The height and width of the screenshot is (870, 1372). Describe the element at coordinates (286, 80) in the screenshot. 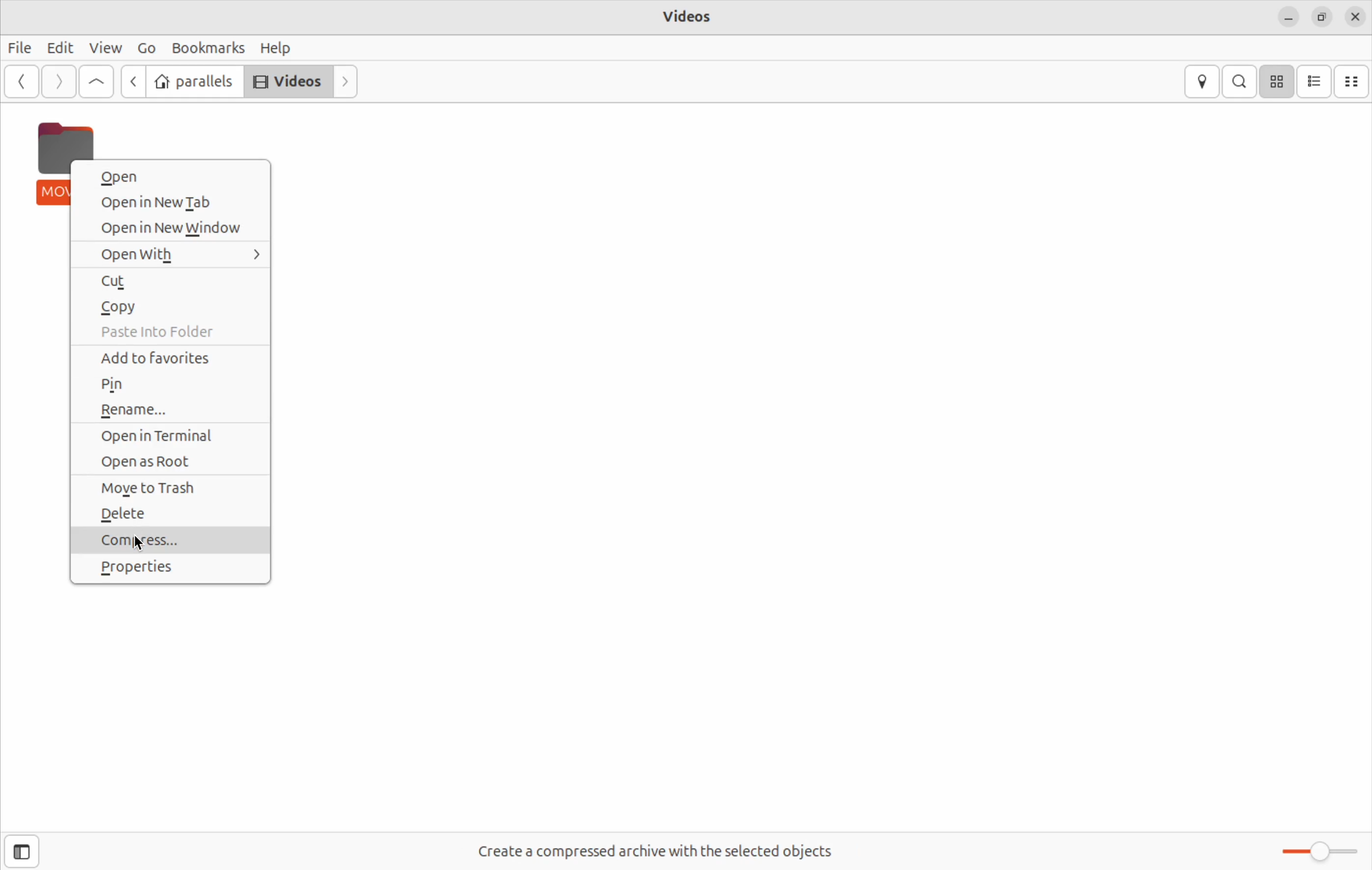

I see `Videos` at that location.